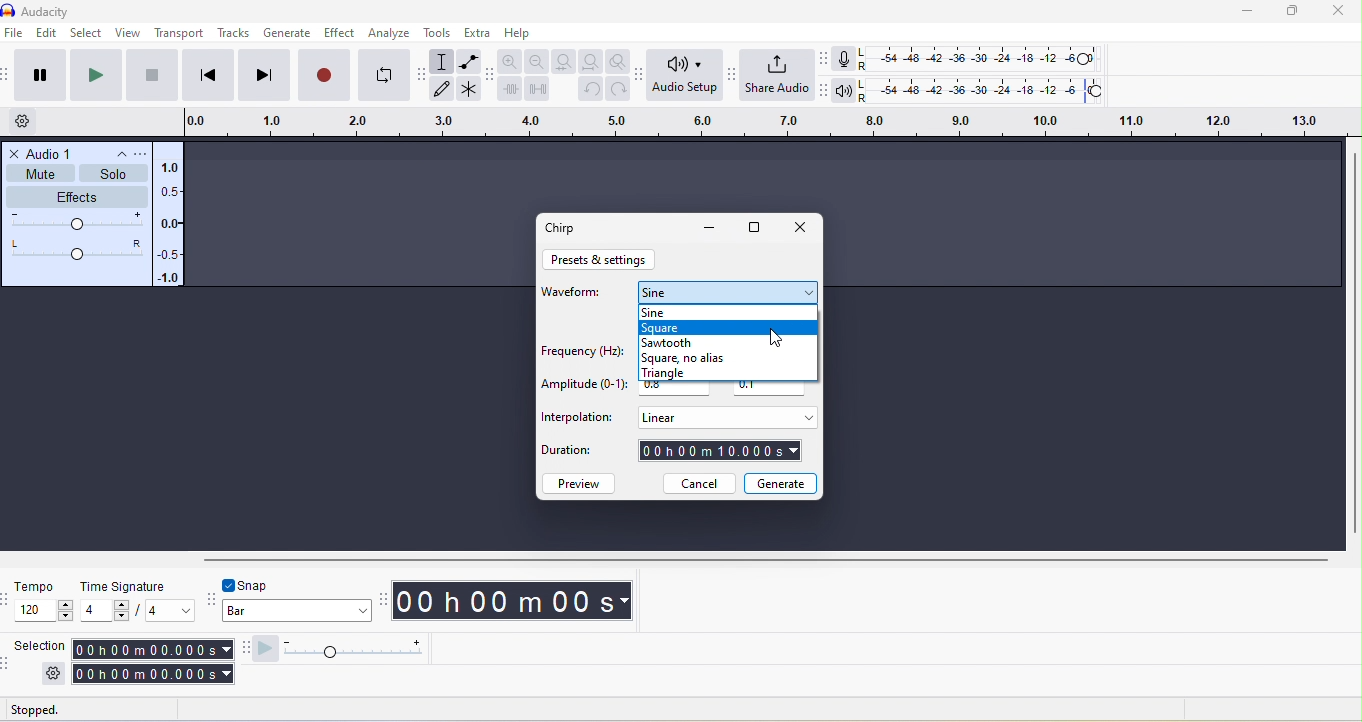 This screenshot has width=1362, height=722. What do you see at coordinates (384, 598) in the screenshot?
I see `audacity time toolbar` at bounding box center [384, 598].